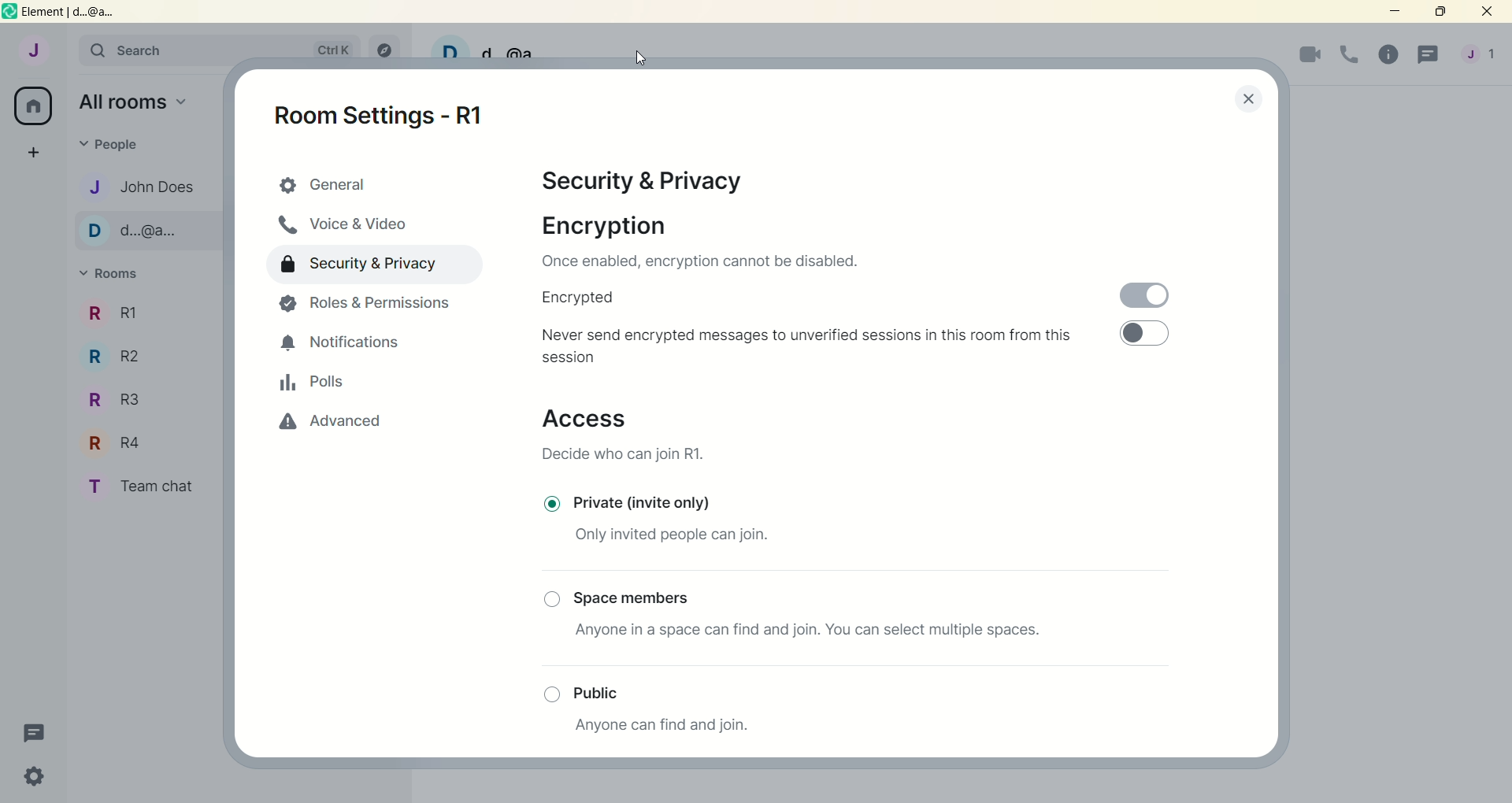 The height and width of the screenshot is (803, 1512). What do you see at coordinates (219, 50) in the screenshot?
I see `search` at bounding box center [219, 50].